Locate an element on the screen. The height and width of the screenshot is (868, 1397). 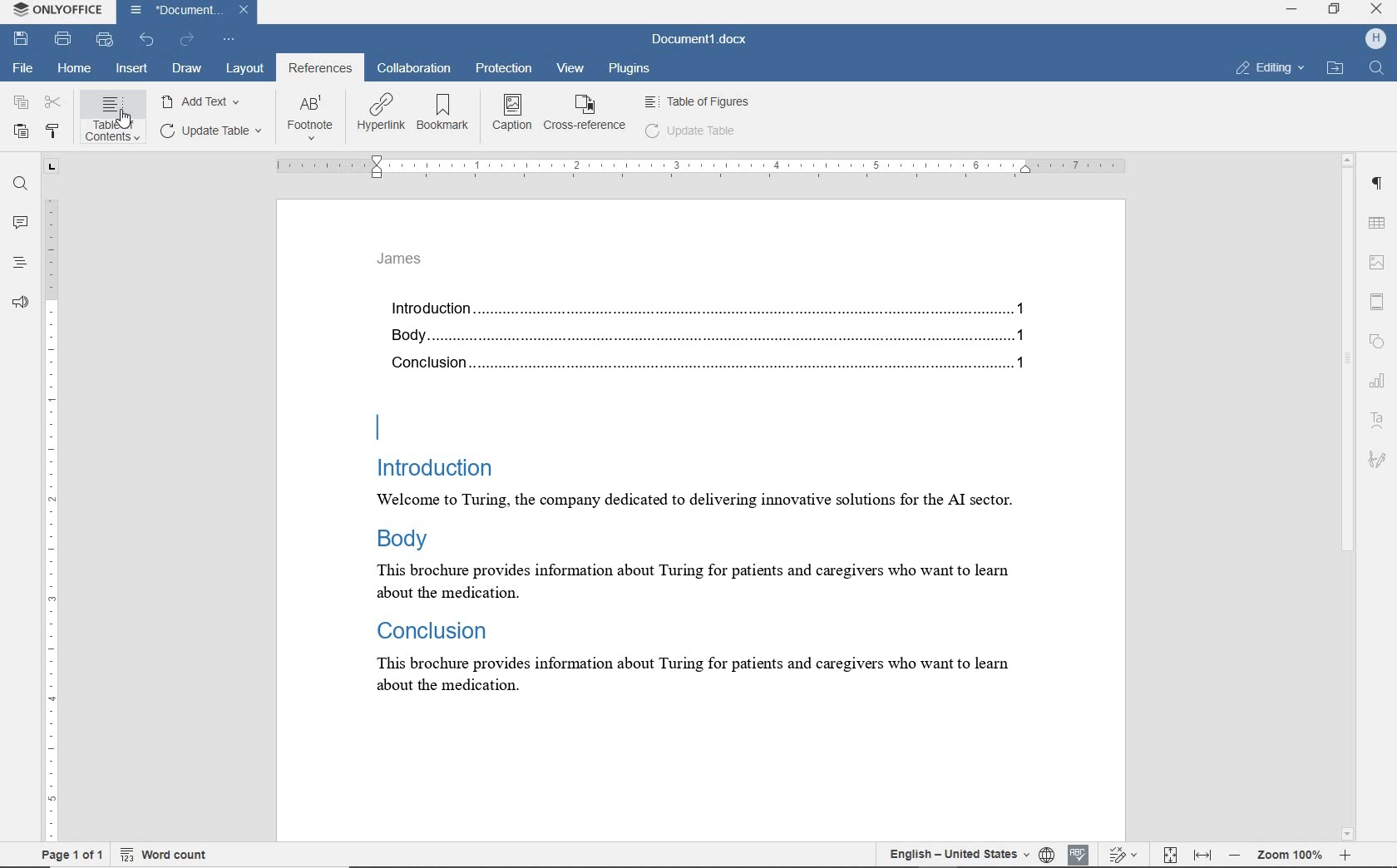
restore down is located at coordinates (1335, 11).